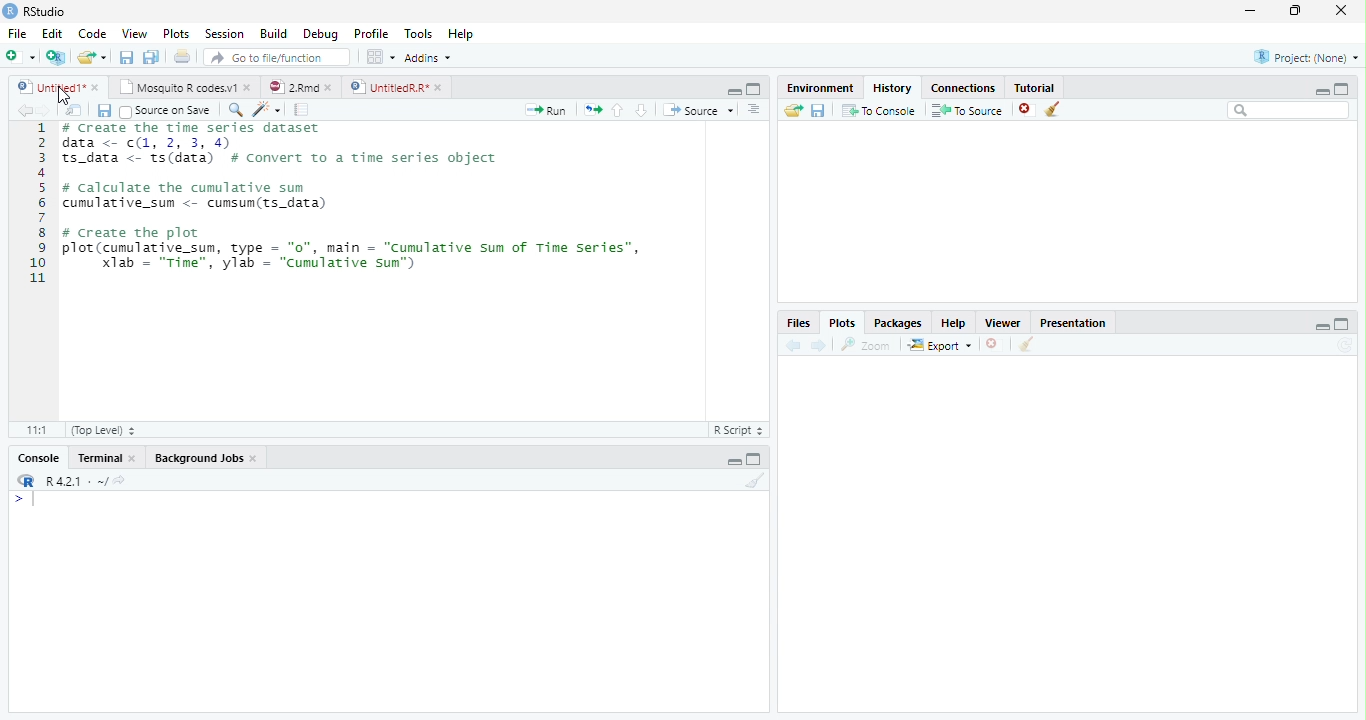 The height and width of the screenshot is (720, 1366). What do you see at coordinates (820, 87) in the screenshot?
I see `Environment` at bounding box center [820, 87].